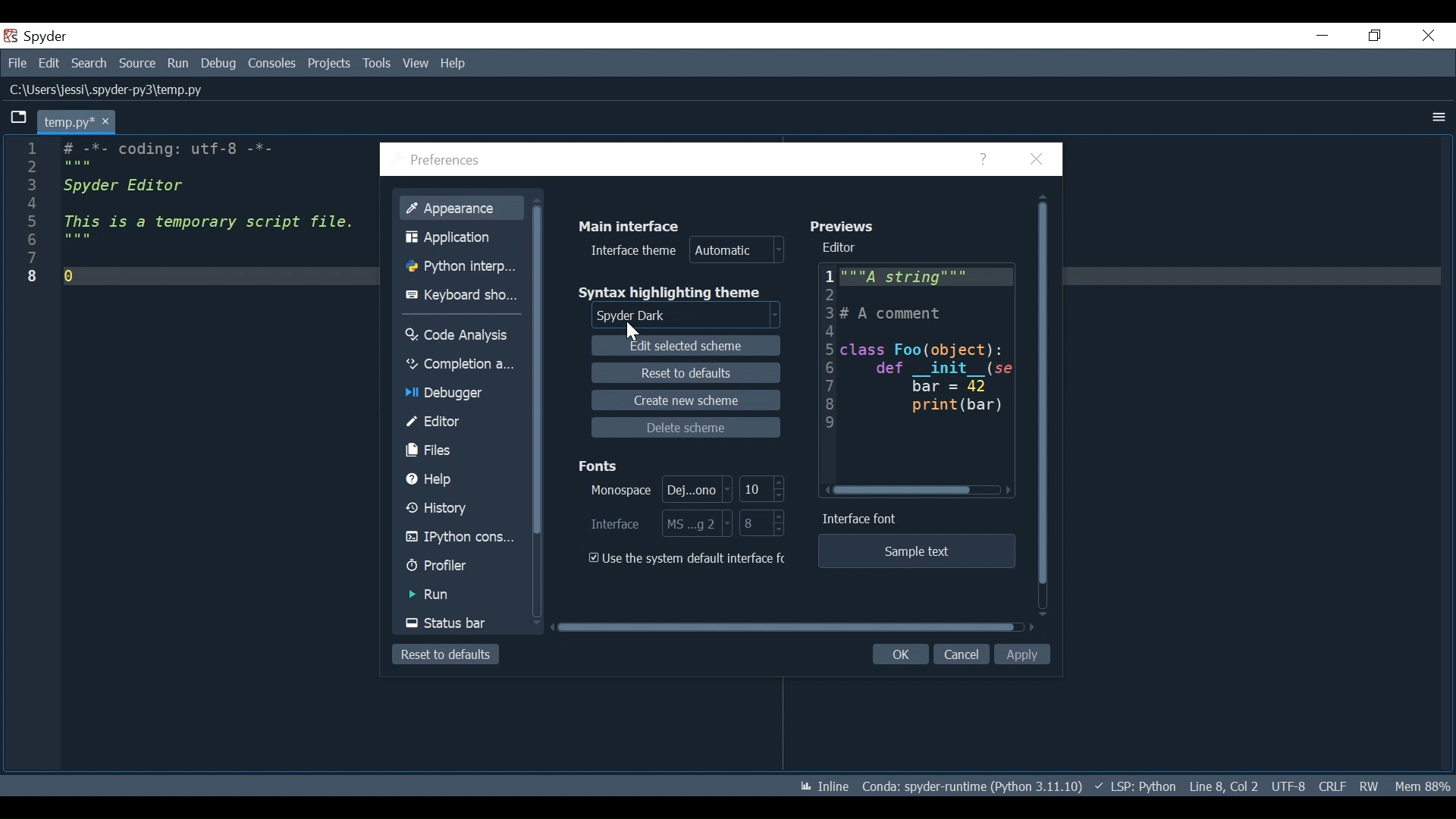 The image size is (1456, 819). Describe the element at coordinates (463, 423) in the screenshot. I see `Editor` at that location.